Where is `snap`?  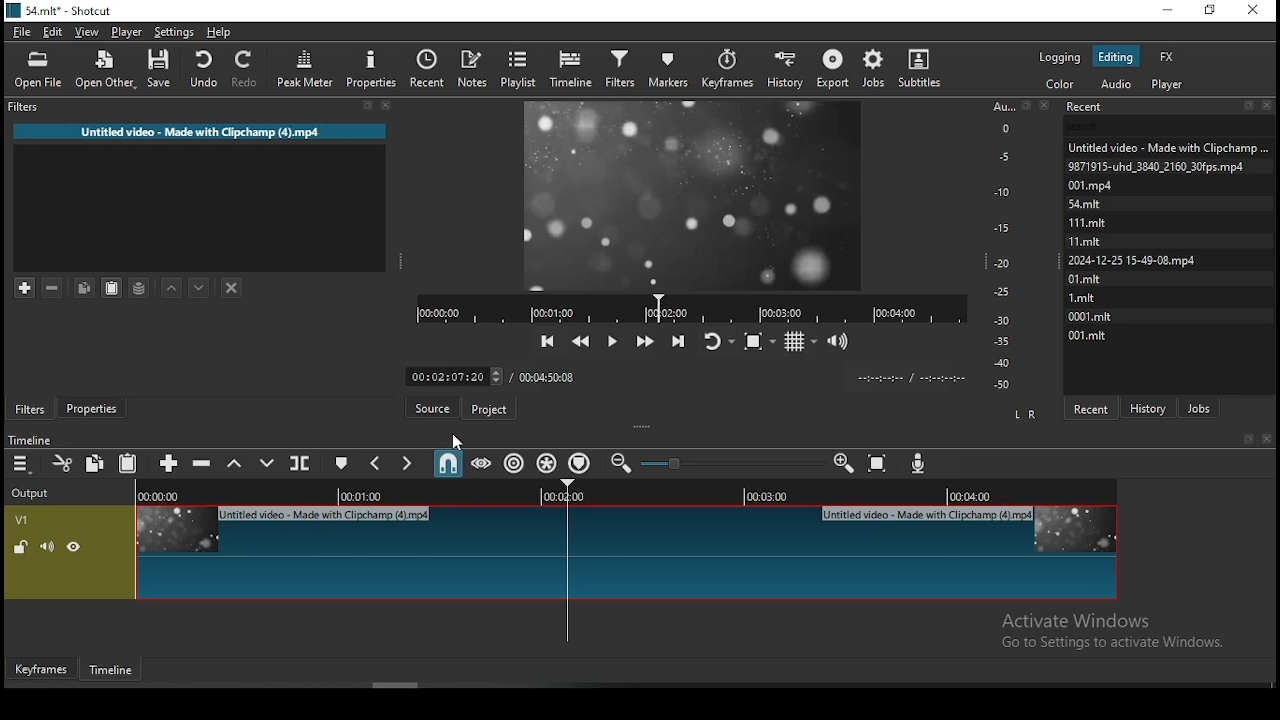
snap is located at coordinates (449, 463).